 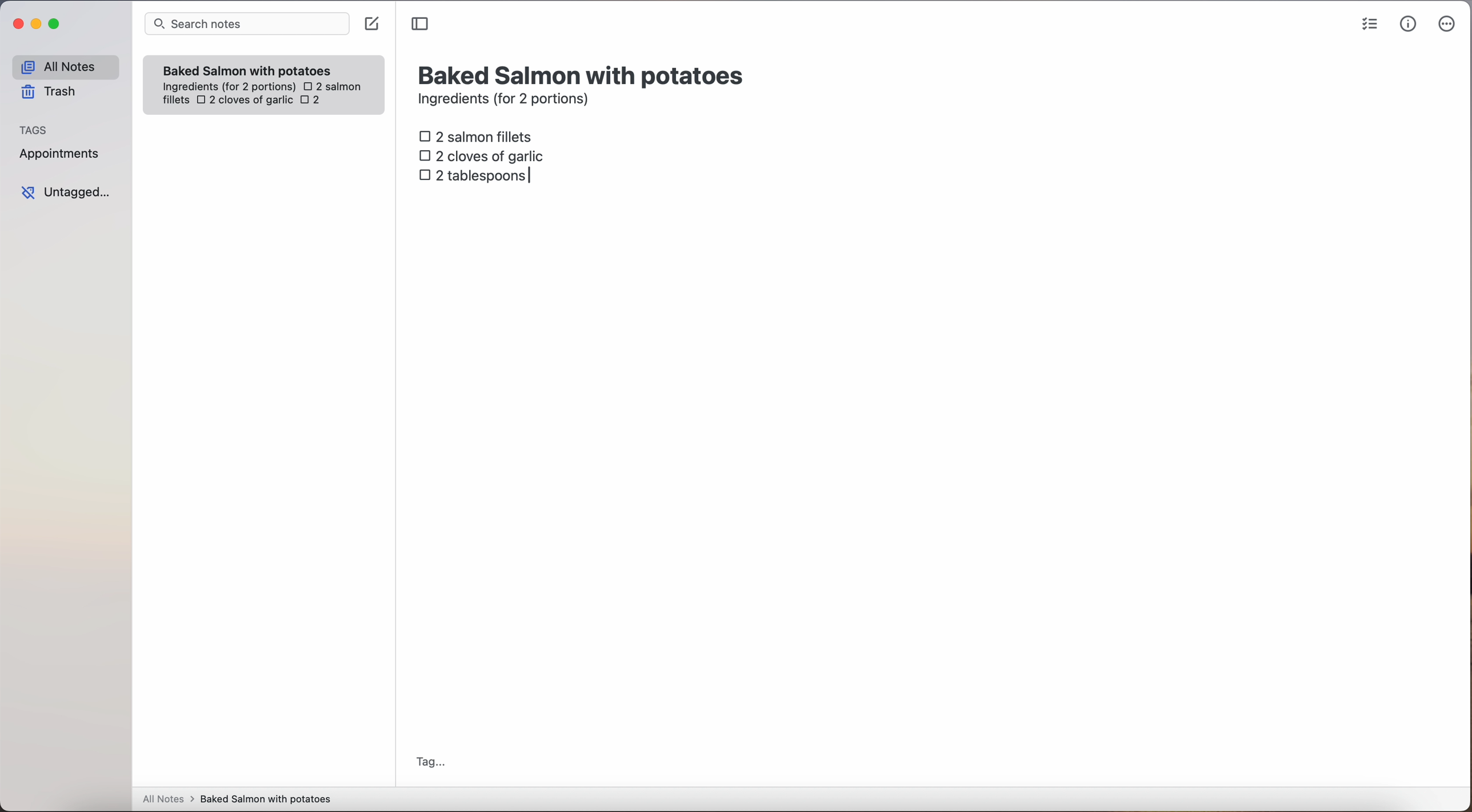 What do you see at coordinates (1370, 25) in the screenshot?
I see `check list` at bounding box center [1370, 25].